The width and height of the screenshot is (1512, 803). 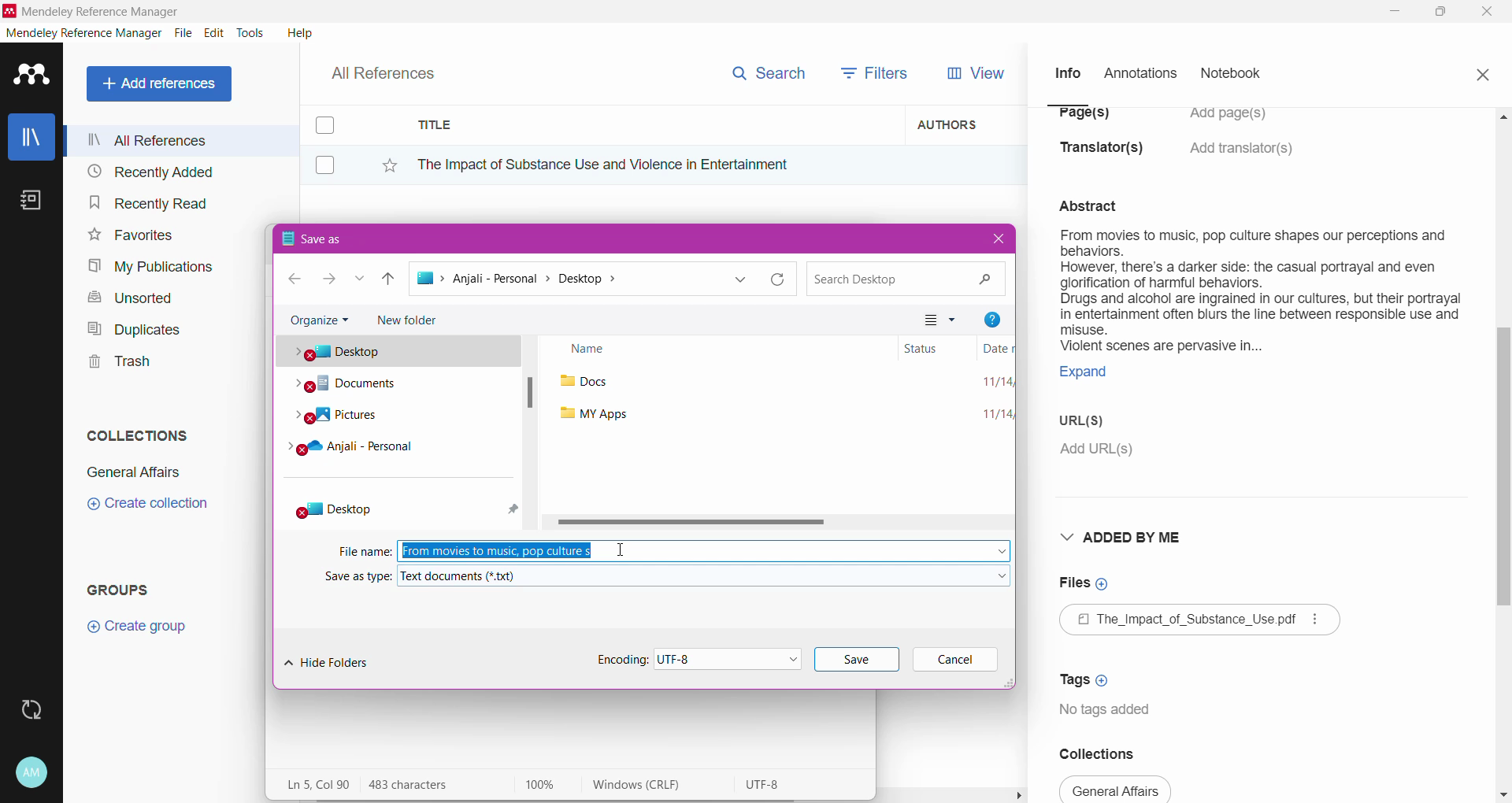 What do you see at coordinates (766, 785) in the screenshot?
I see `Character encoding used` at bounding box center [766, 785].